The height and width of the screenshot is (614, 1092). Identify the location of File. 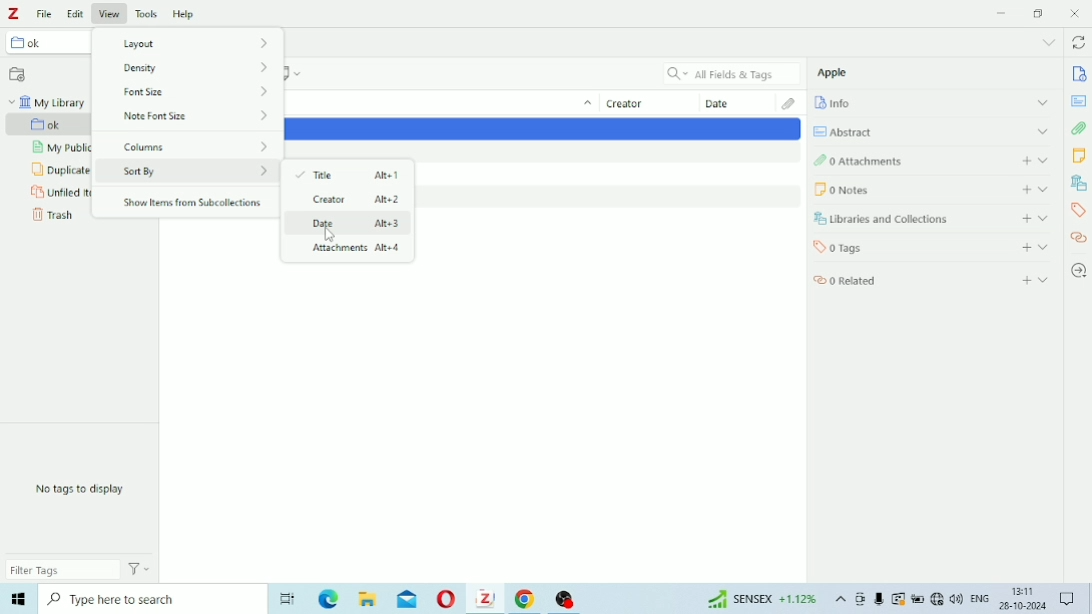
(47, 13).